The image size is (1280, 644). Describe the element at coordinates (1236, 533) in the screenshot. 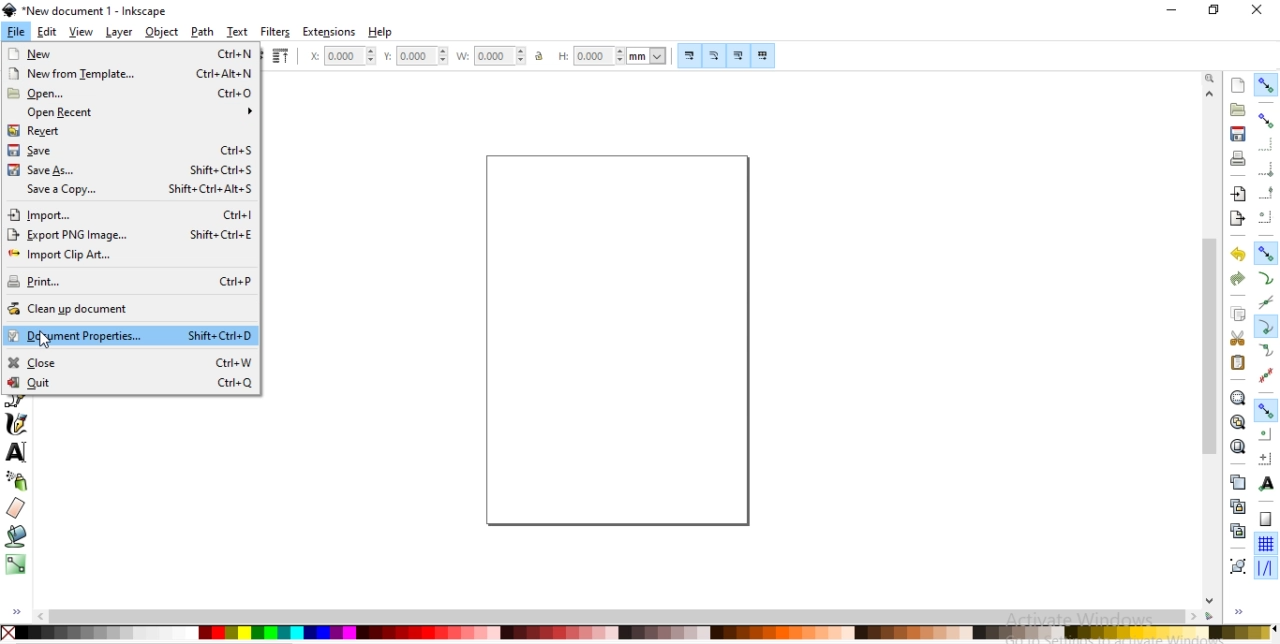

I see `cut a selected clone` at that location.